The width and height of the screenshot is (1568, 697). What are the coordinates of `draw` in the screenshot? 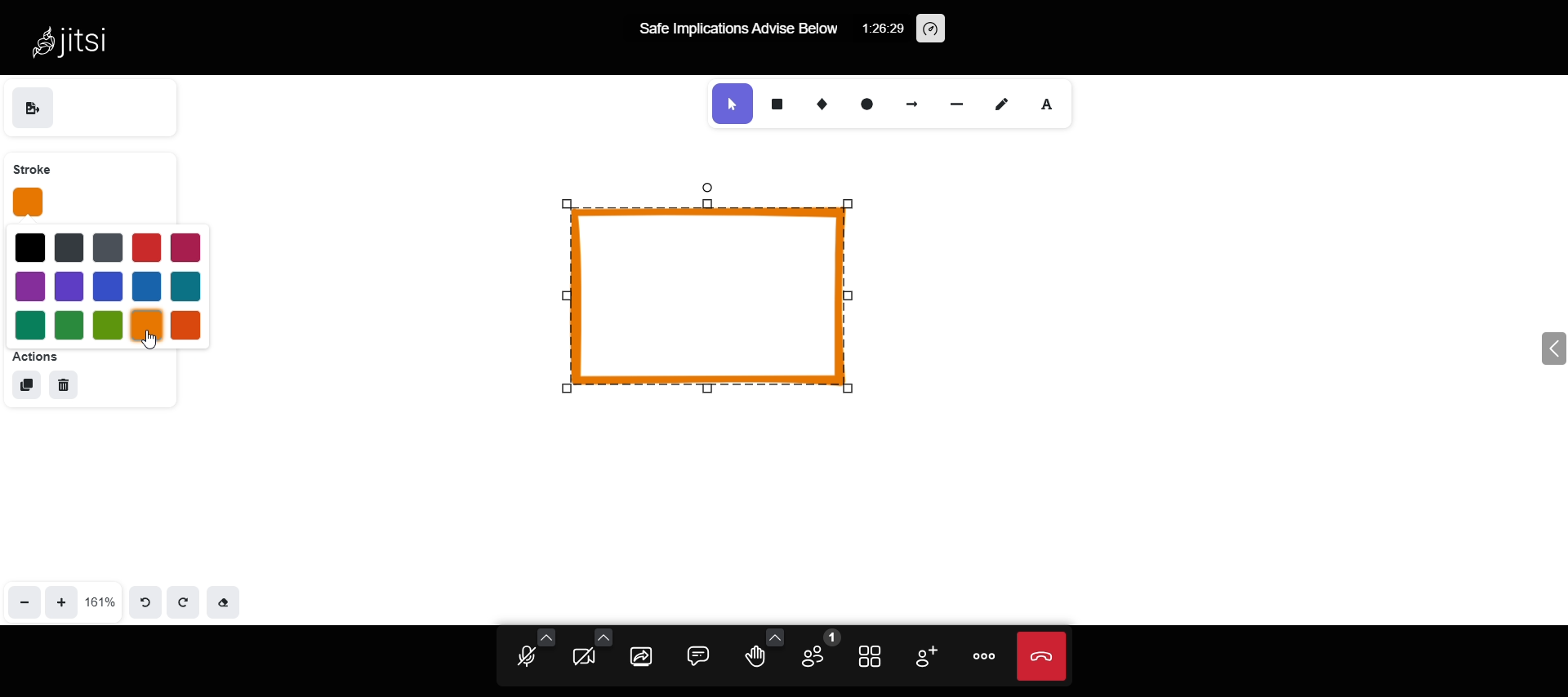 It's located at (1004, 101).